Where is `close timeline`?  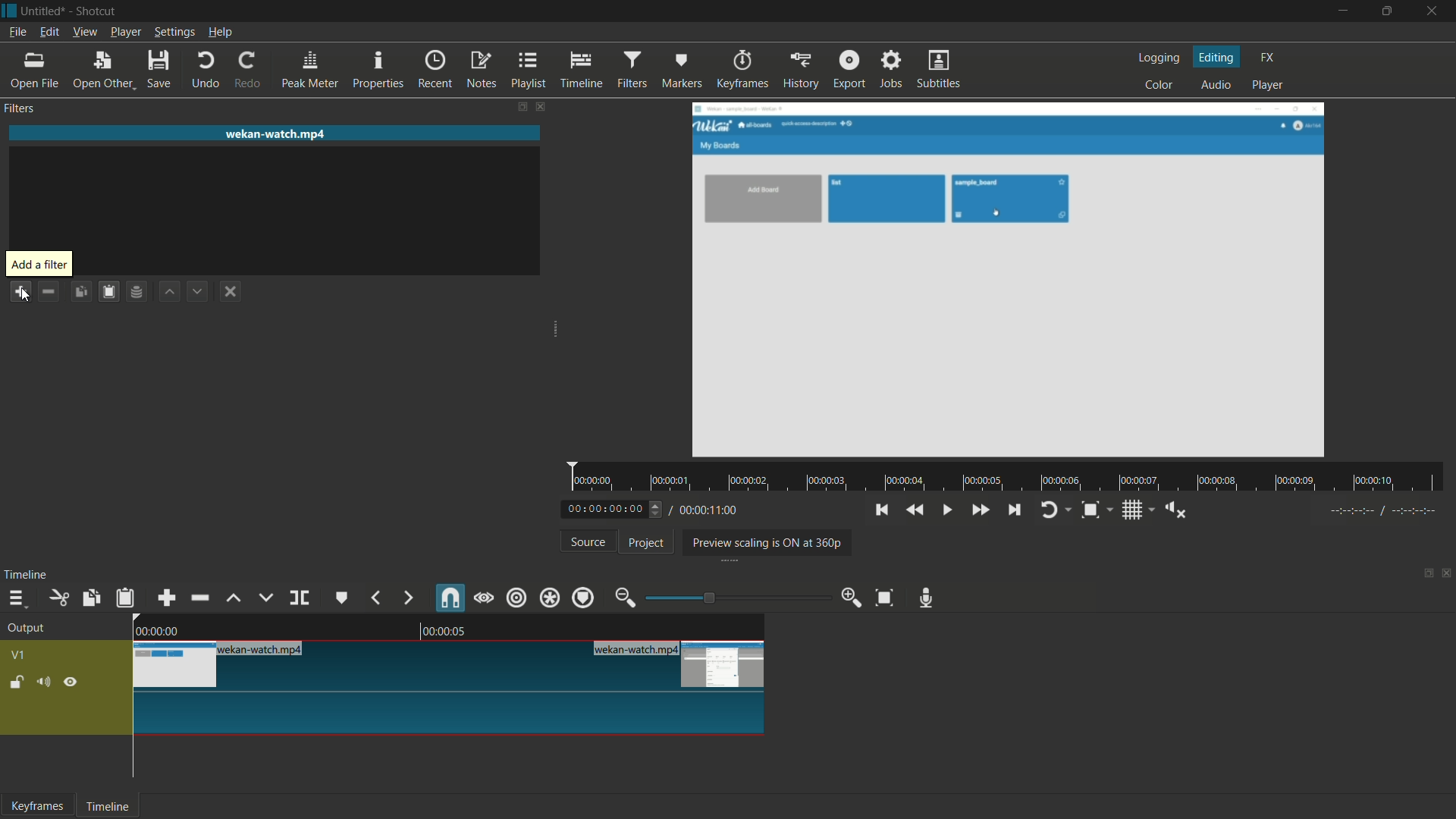 close timeline is located at coordinates (1447, 575).